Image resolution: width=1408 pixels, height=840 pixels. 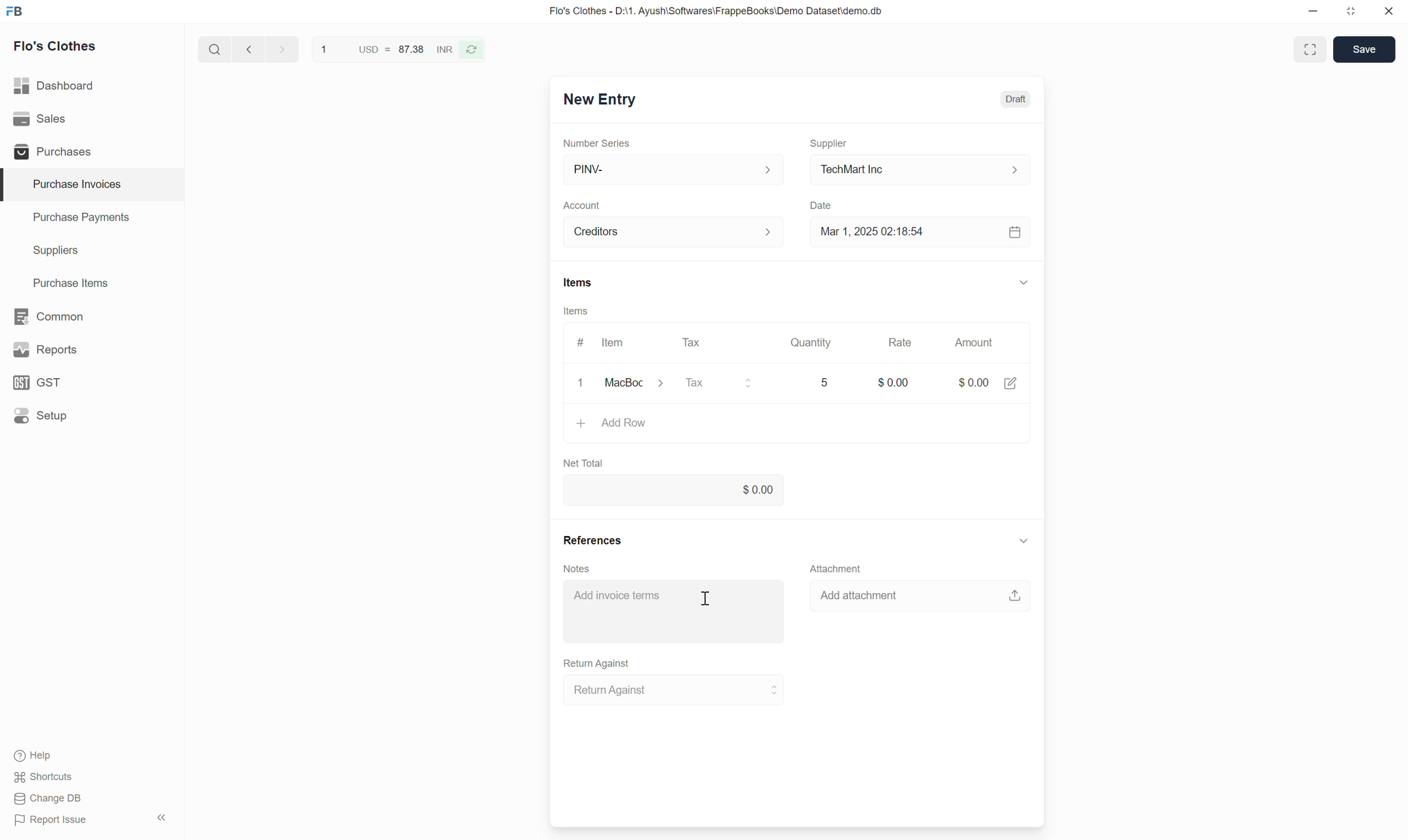 What do you see at coordinates (472, 50) in the screenshot?
I see `Reverse` at bounding box center [472, 50].